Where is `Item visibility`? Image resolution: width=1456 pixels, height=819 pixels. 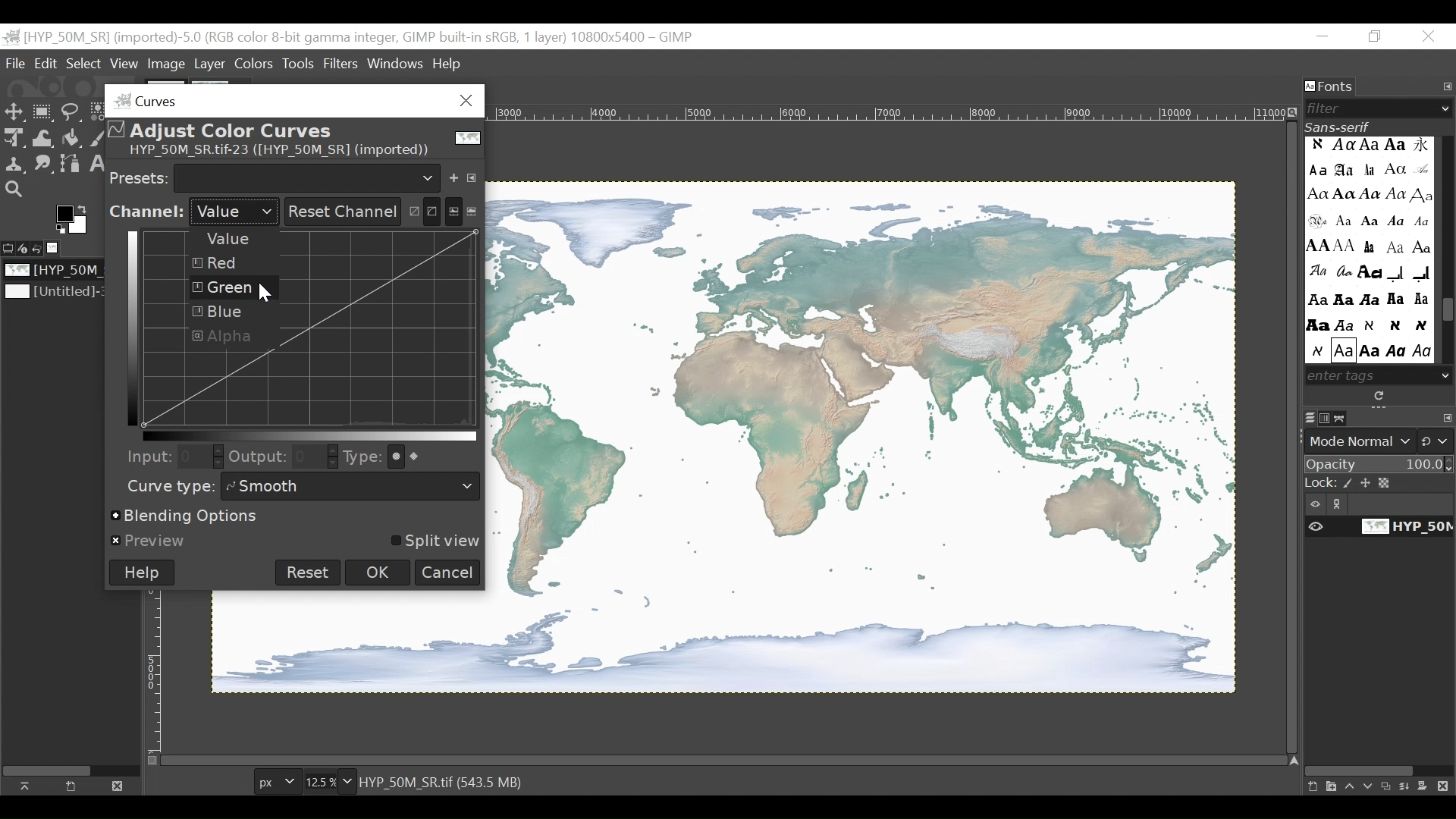
Item visibility is located at coordinates (1379, 504).